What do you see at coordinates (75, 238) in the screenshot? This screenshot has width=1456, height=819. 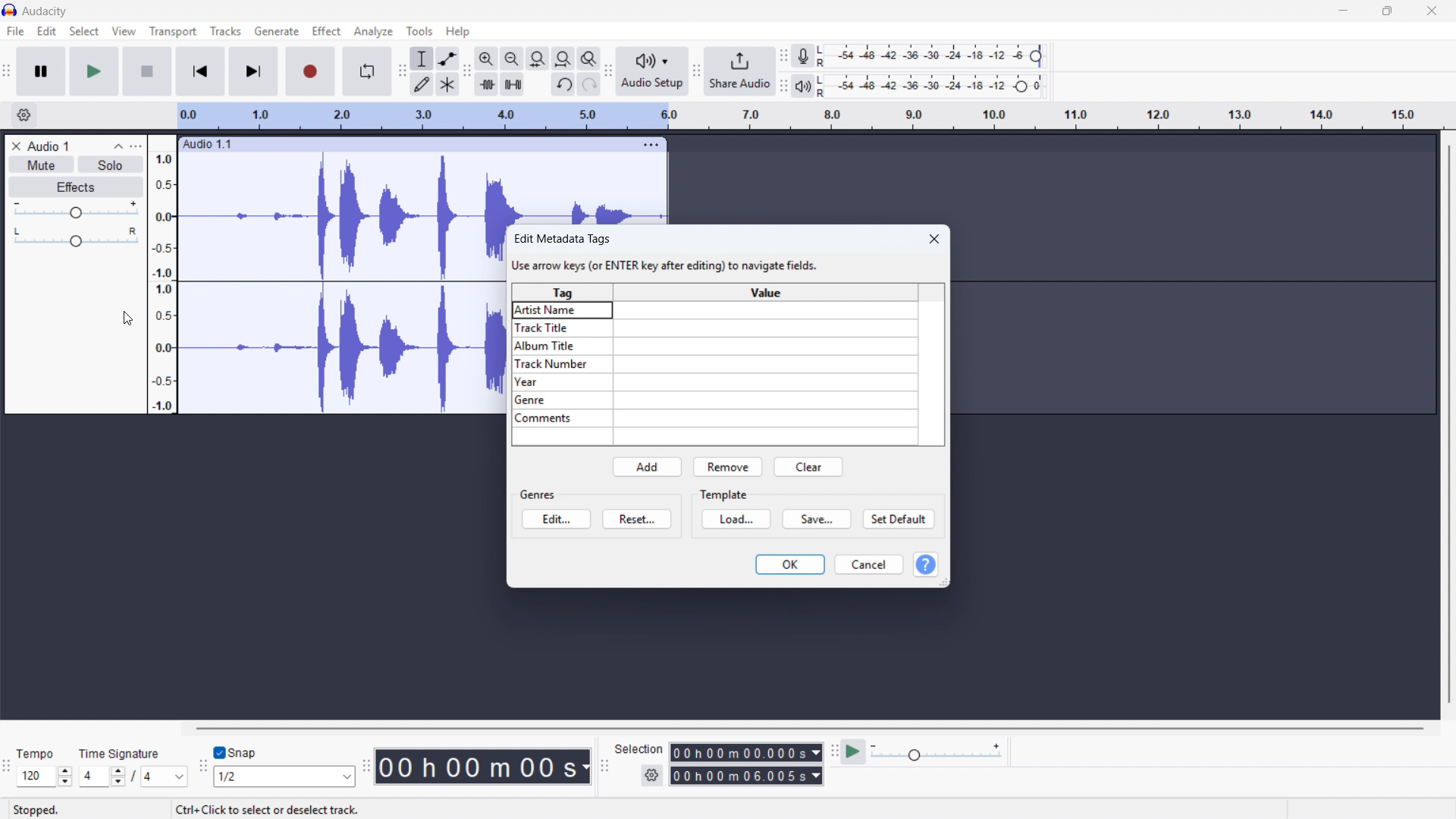 I see `pan` at bounding box center [75, 238].